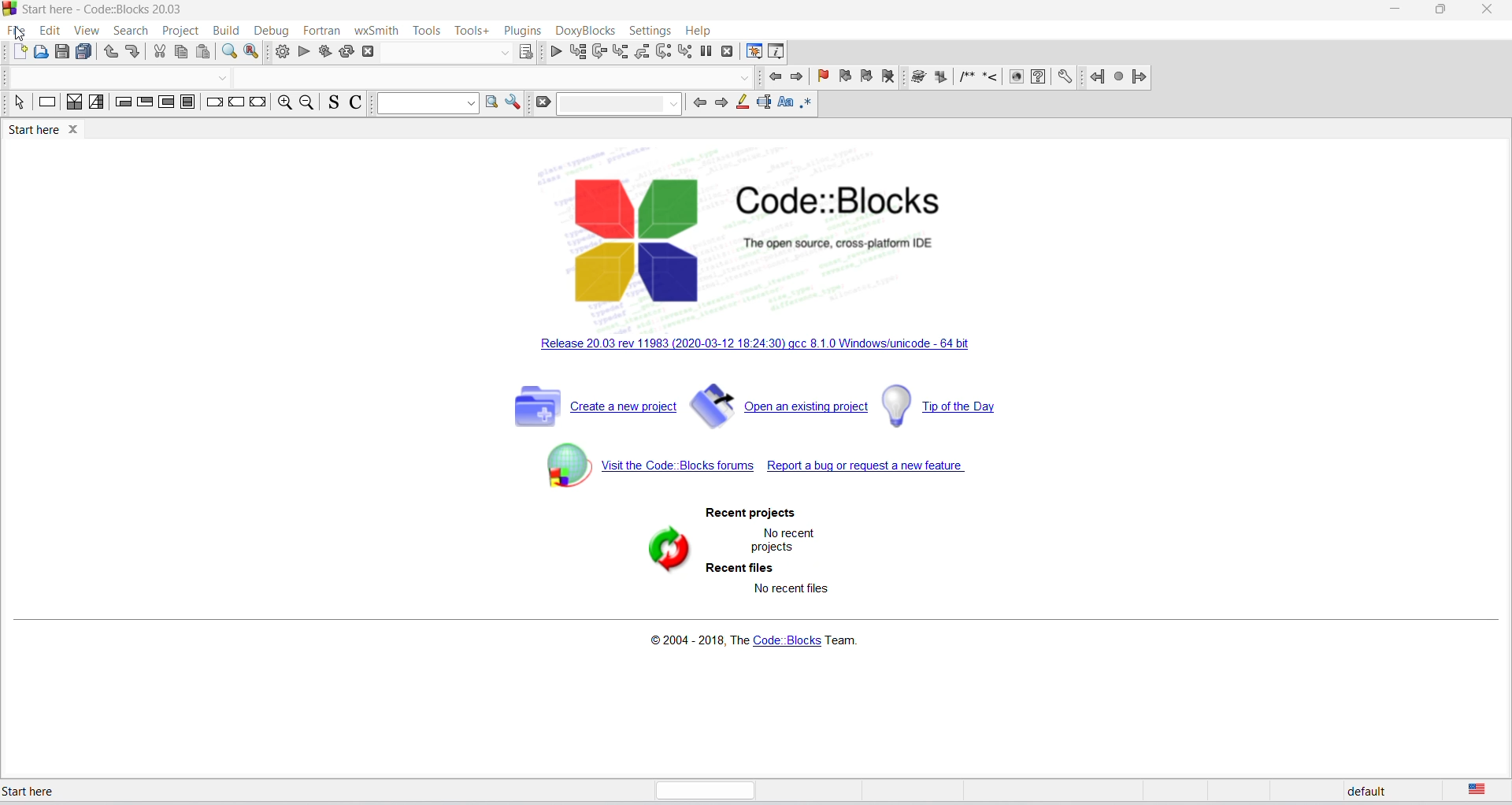 This screenshot has height=805, width=1512. Describe the element at coordinates (204, 54) in the screenshot. I see `paste` at that location.